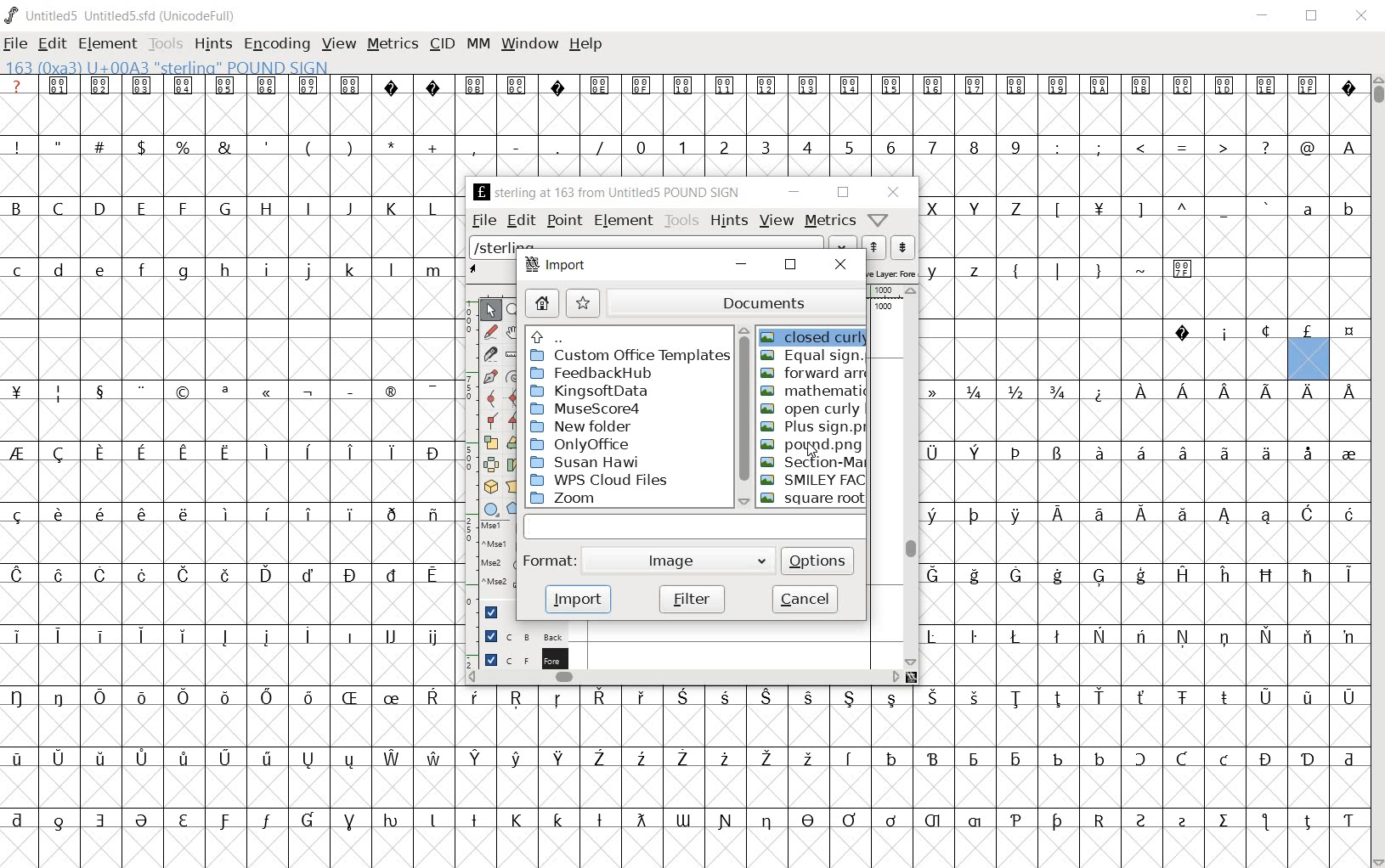 The width and height of the screenshot is (1385, 868). What do you see at coordinates (558, 819) in the screenshot?
I see `` at bounding box center [558, 819].